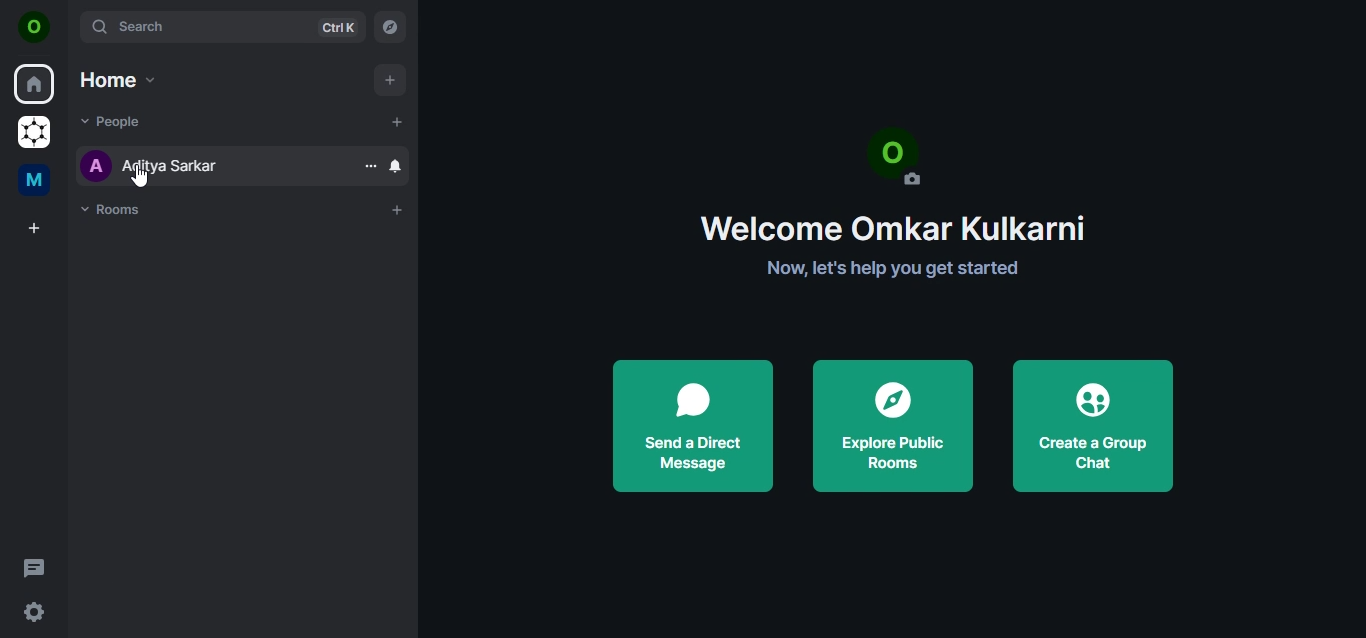 This screenshot has height=638, width=1366. What do you see at coordinates (891, 271) in the screenshot?
I see `Now, let's help you get started` at bounding box center [891, 271].